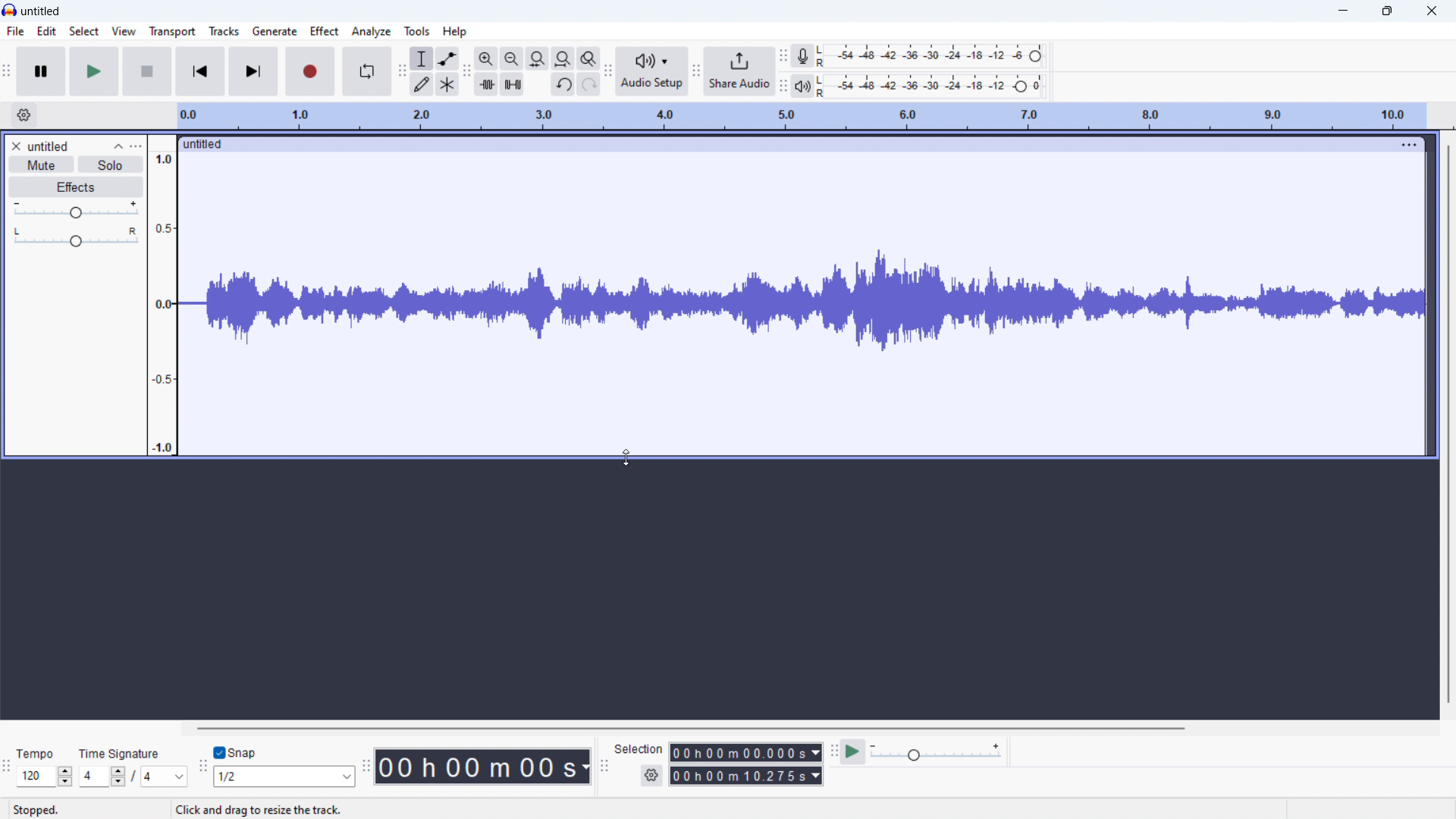 The height and width of the screenshot is (819, 1456). I want to click on effects, so click(76, 188).